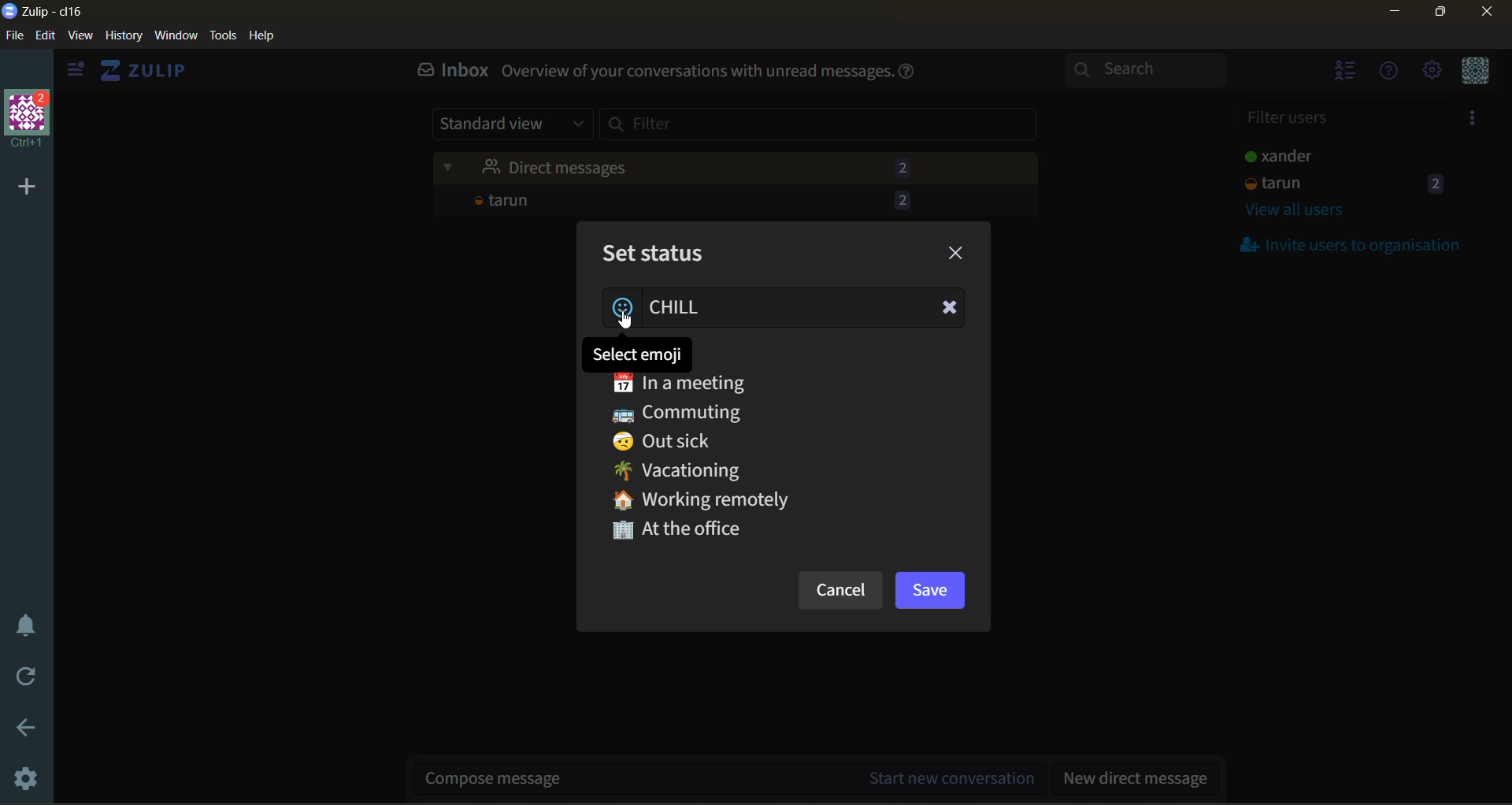  I want to click on settings menu, so click(1435, 72).